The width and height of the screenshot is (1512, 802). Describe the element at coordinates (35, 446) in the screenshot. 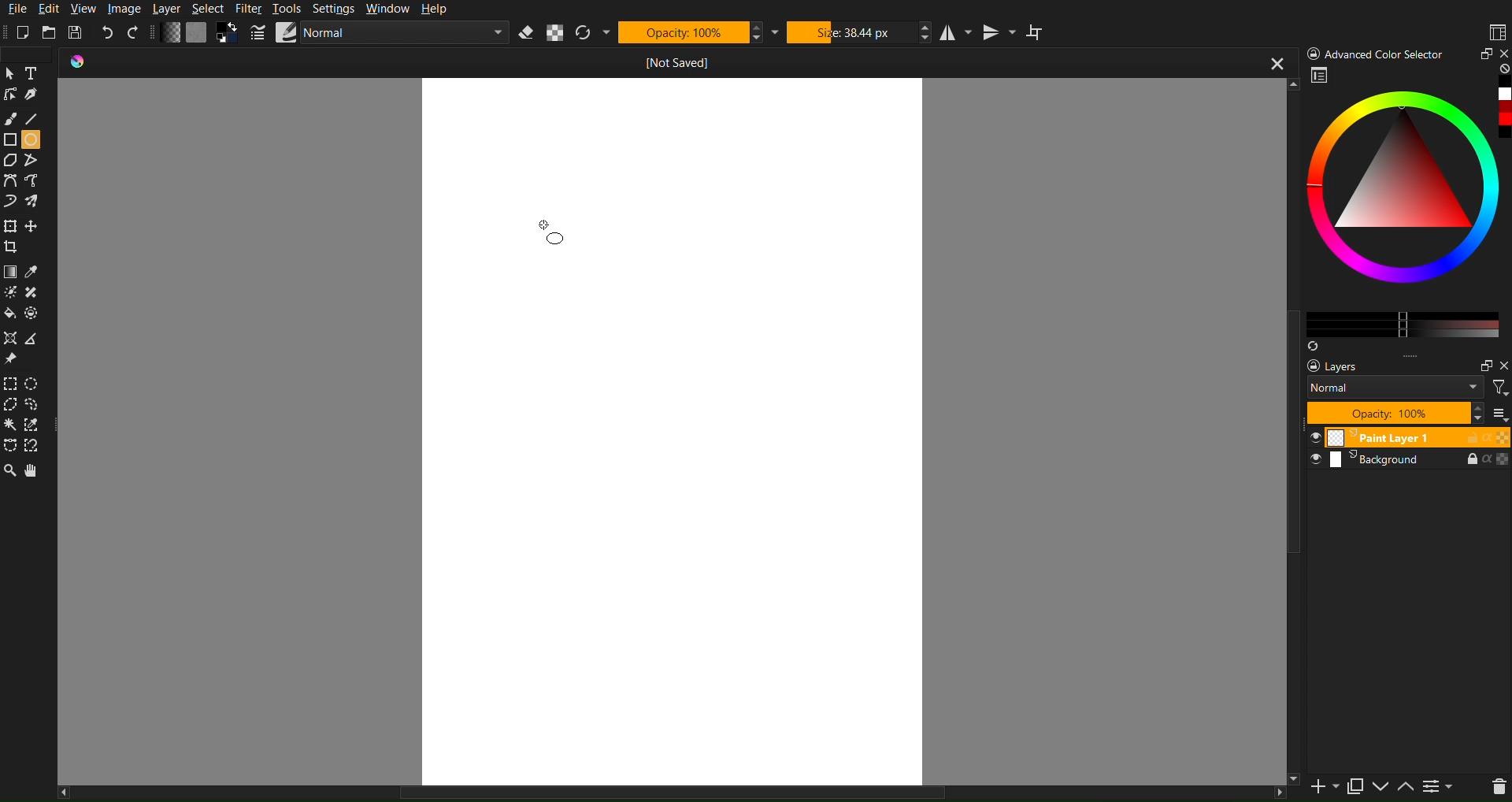

I see `Free tool` at that location.